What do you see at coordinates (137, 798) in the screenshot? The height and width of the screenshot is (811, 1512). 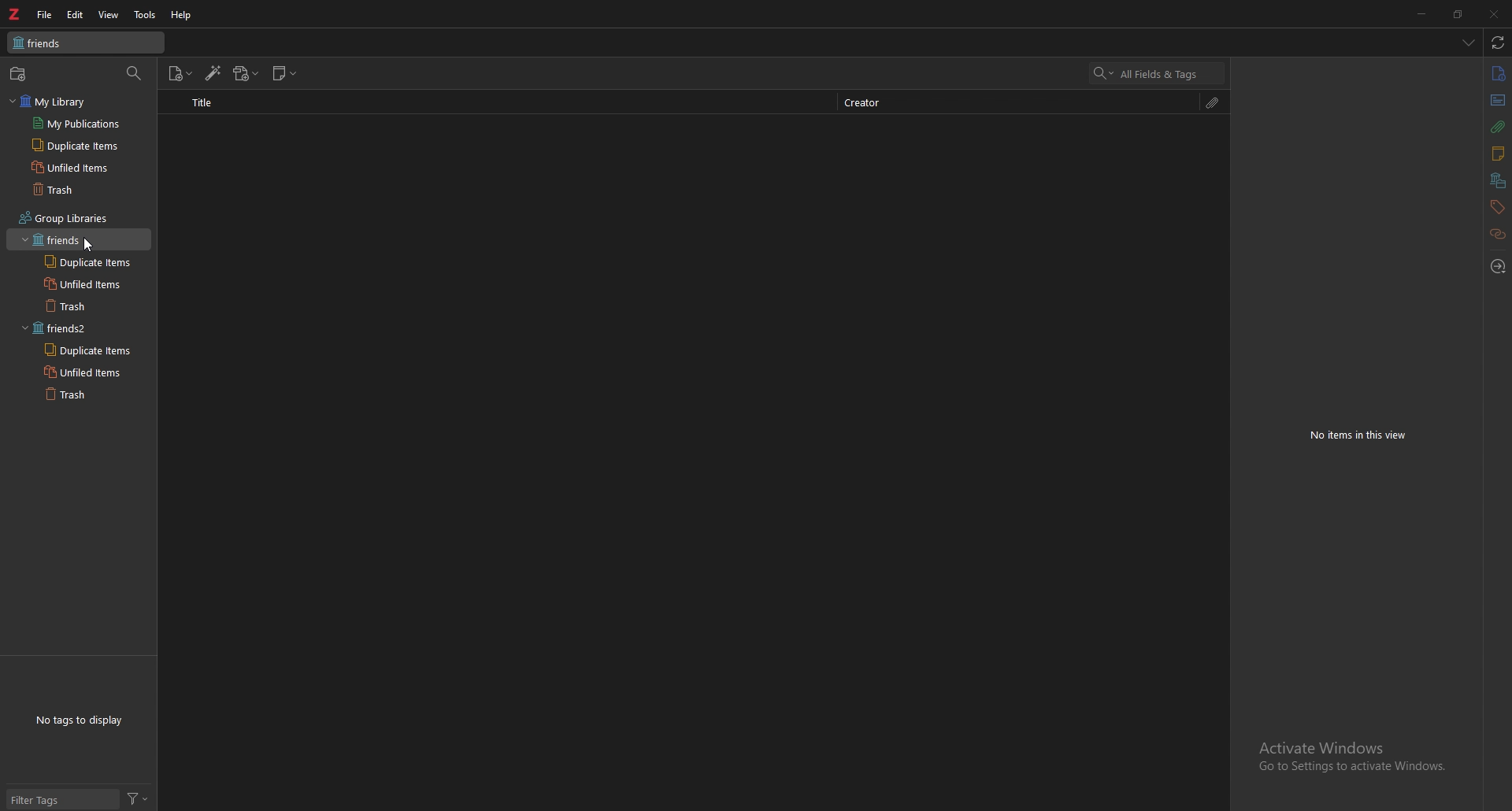 I see `filter` at bounding box center [137, 798].